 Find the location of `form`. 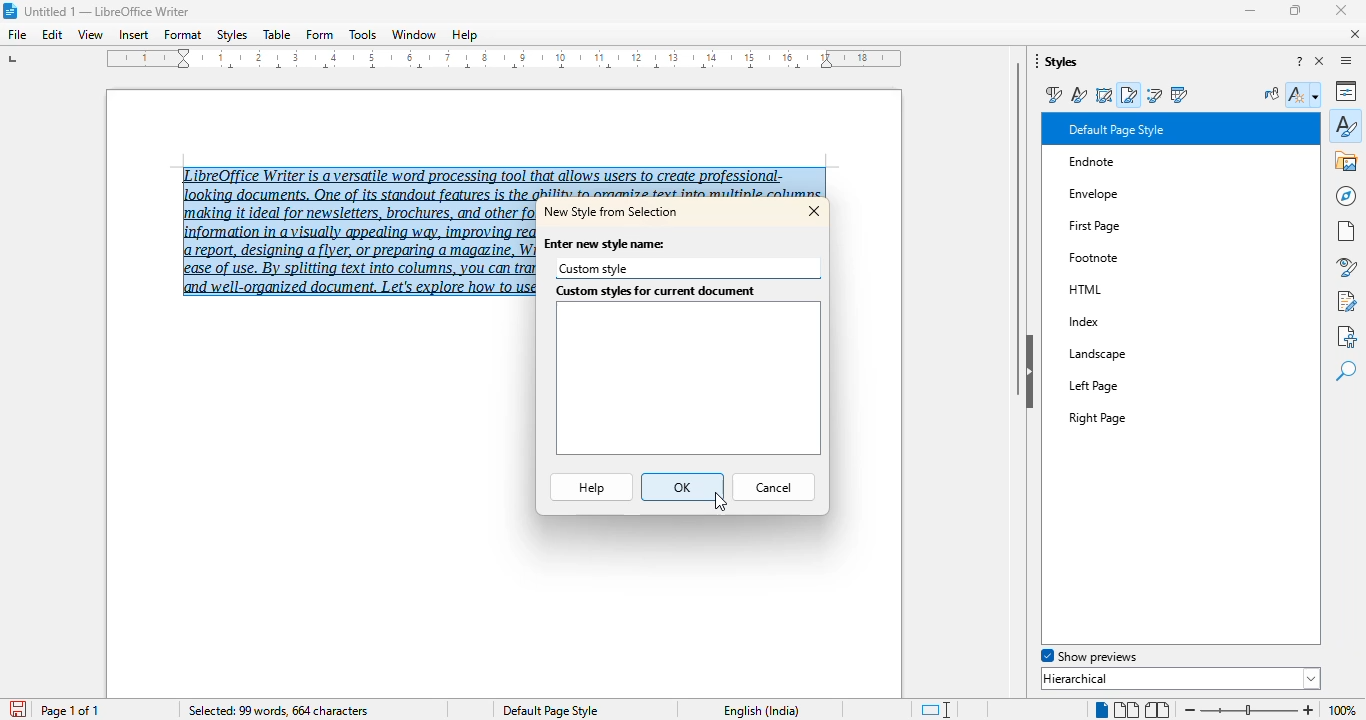

form is located at coordinates (320, 34).